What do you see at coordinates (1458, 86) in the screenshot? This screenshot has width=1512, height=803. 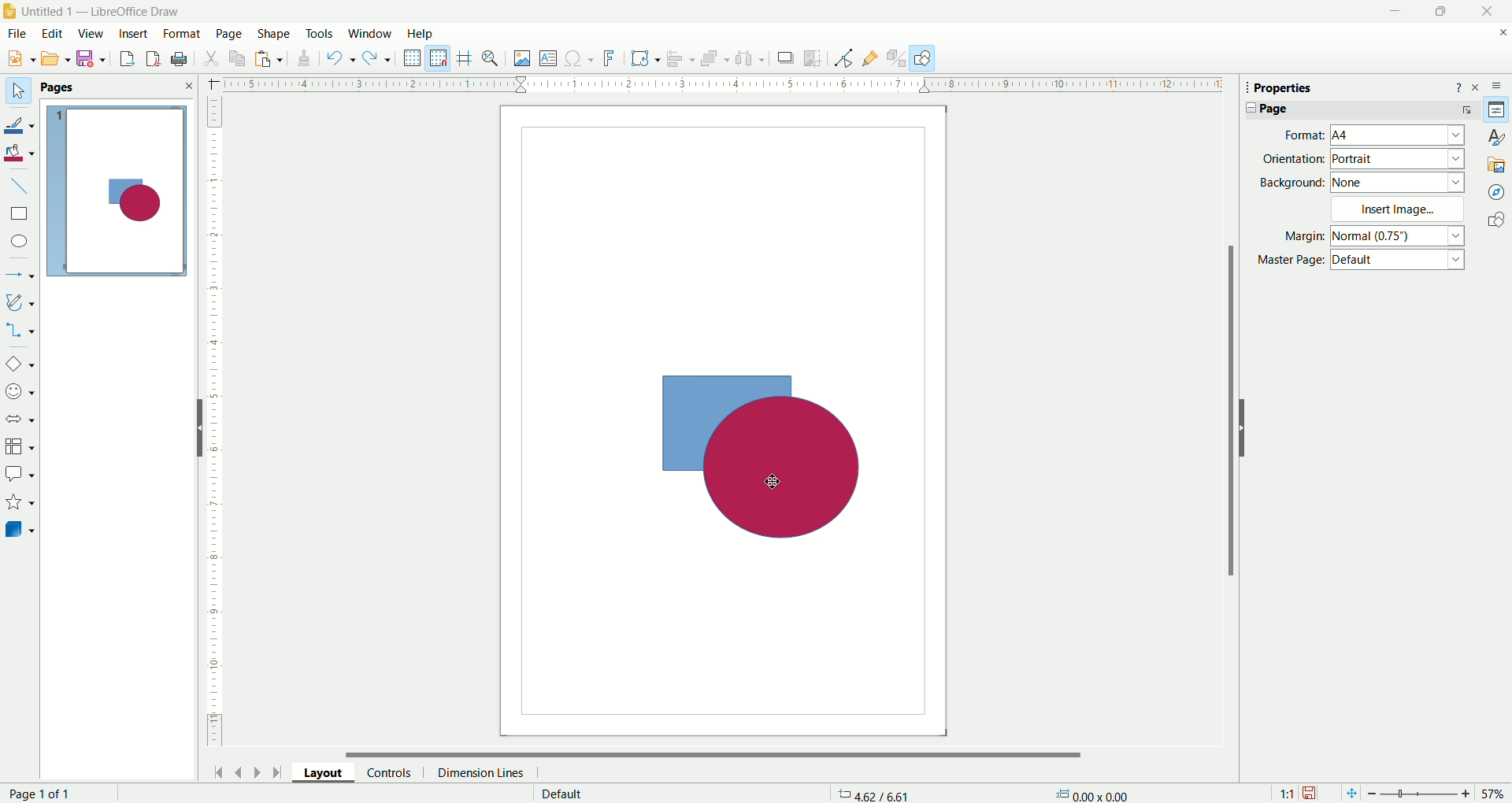 I see `help` at bounding box center [1458, 86].